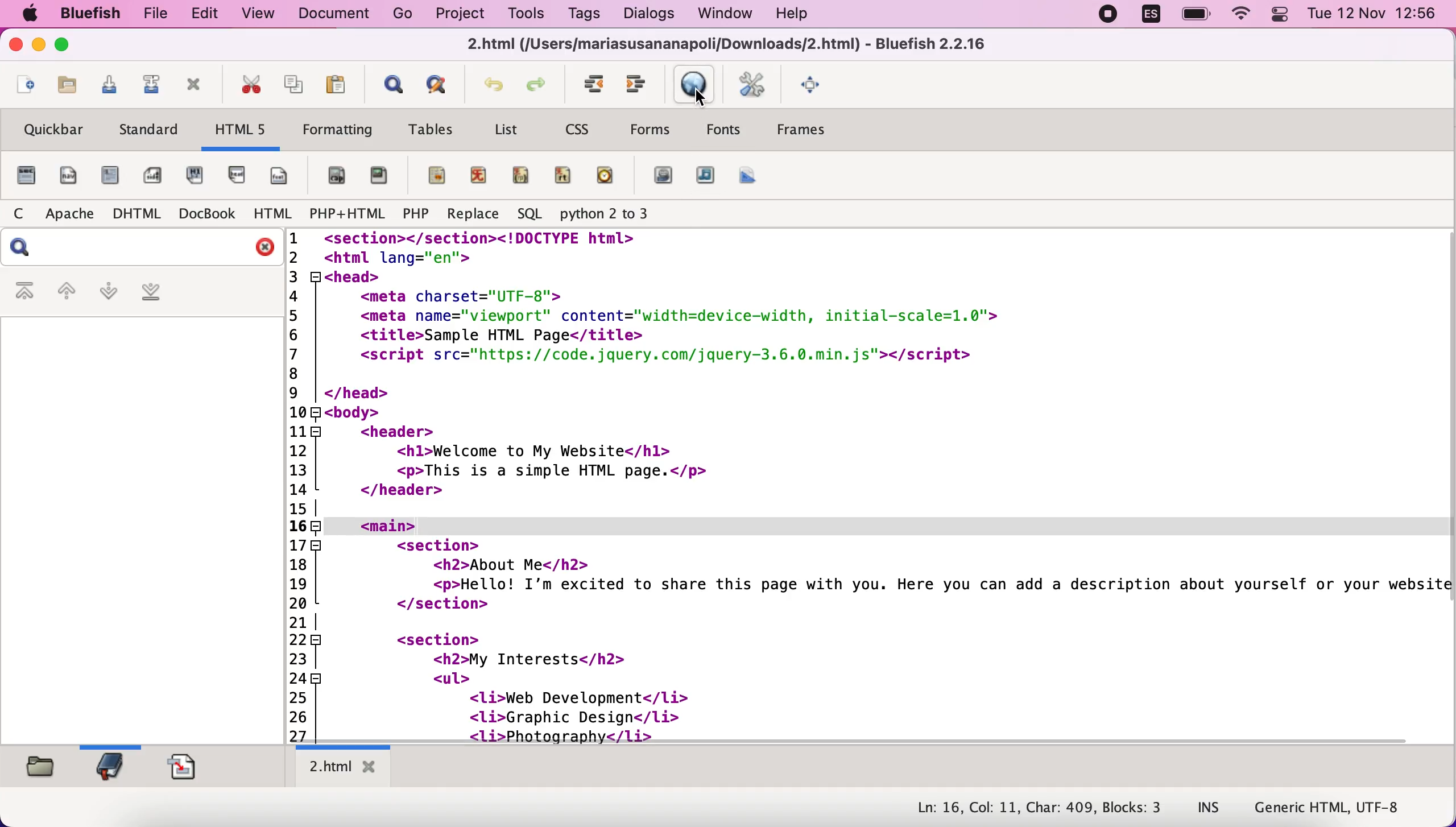  What do you see at coordinates (273, 213) in the screenshot?
I see `html` at bounding box center [273, 213].